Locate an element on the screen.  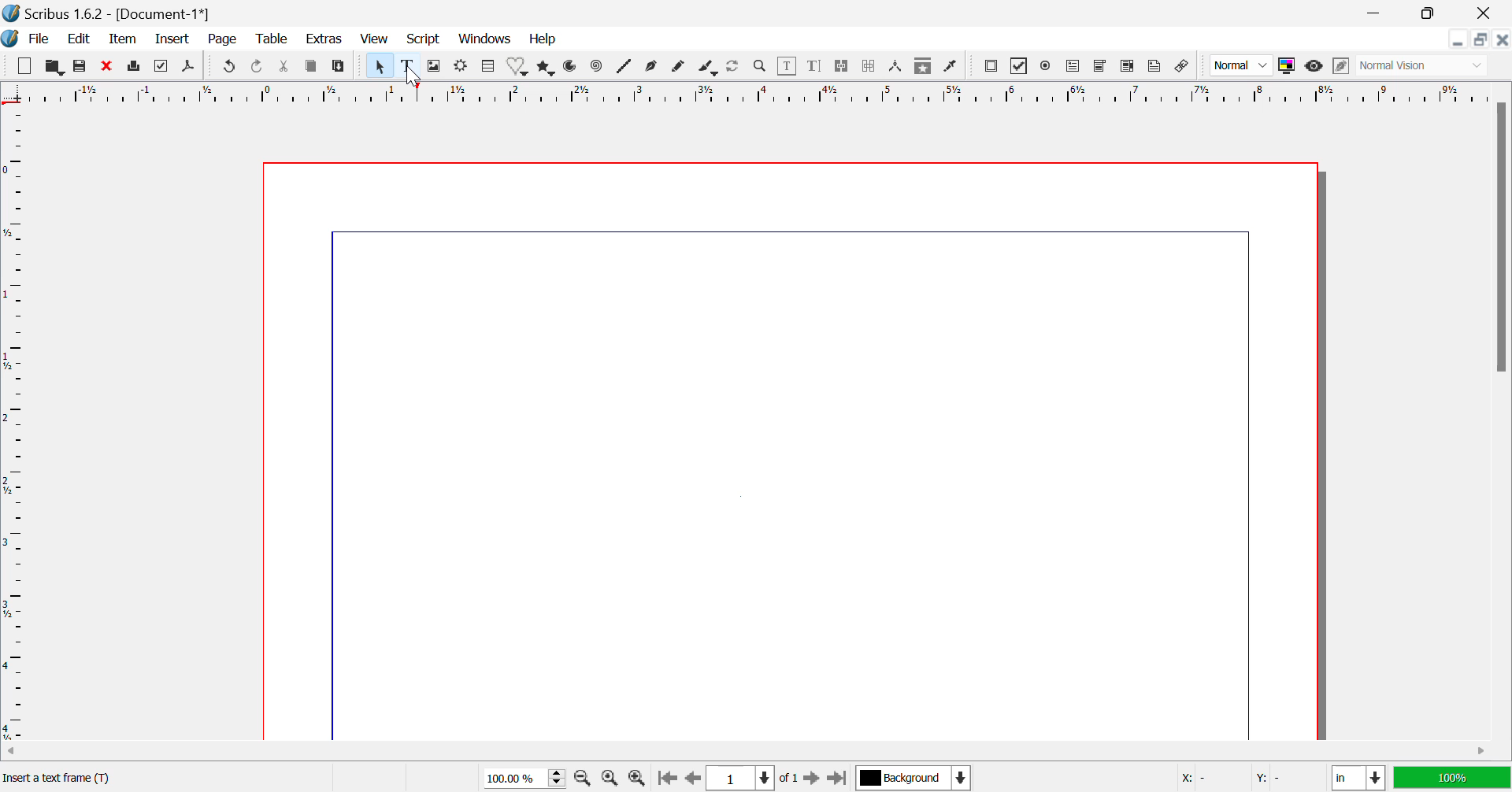
Insert a text frame(T) is located at coordinates (60, 778).